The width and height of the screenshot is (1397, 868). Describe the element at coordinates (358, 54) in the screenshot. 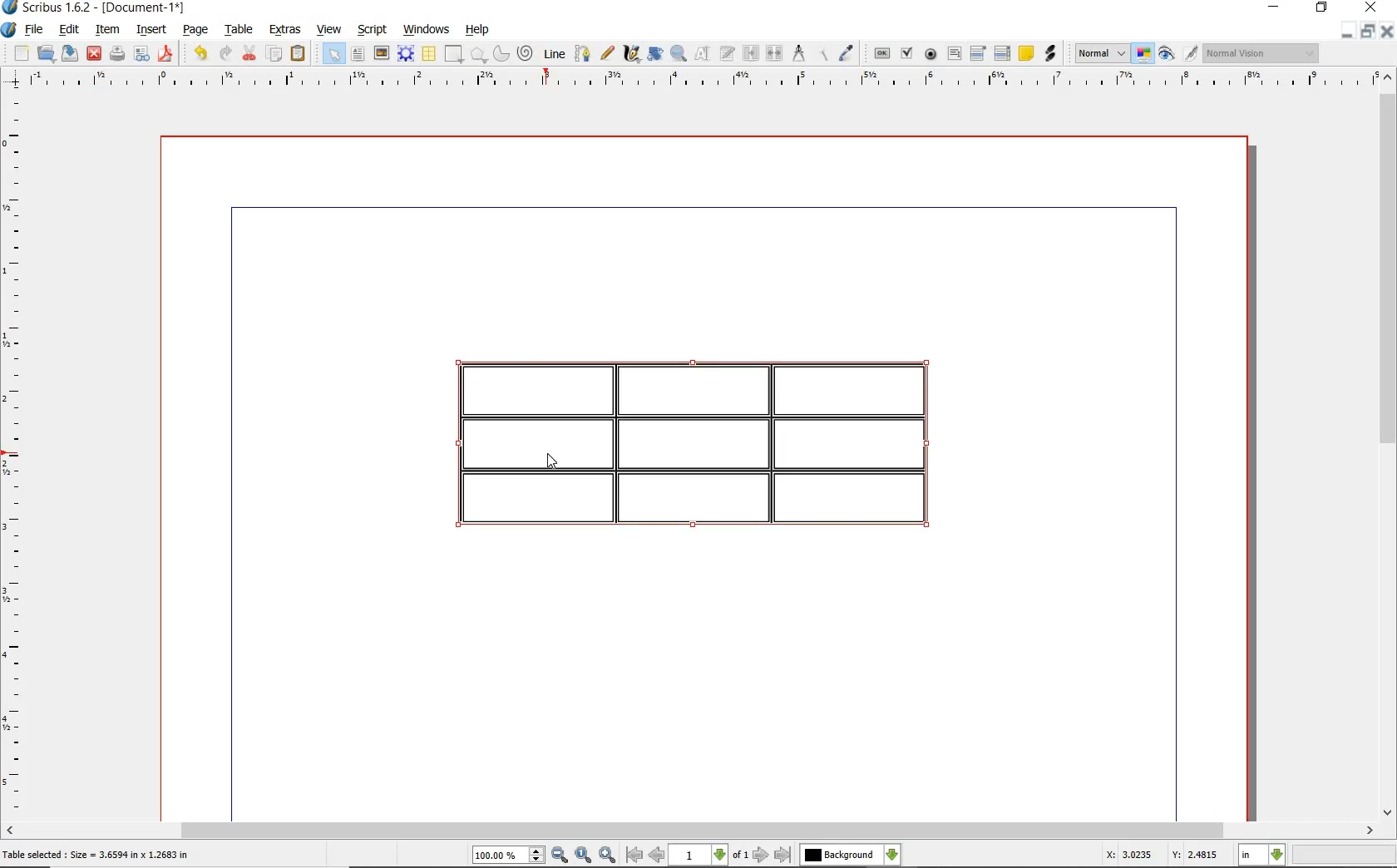

I see `text frame` at that location.